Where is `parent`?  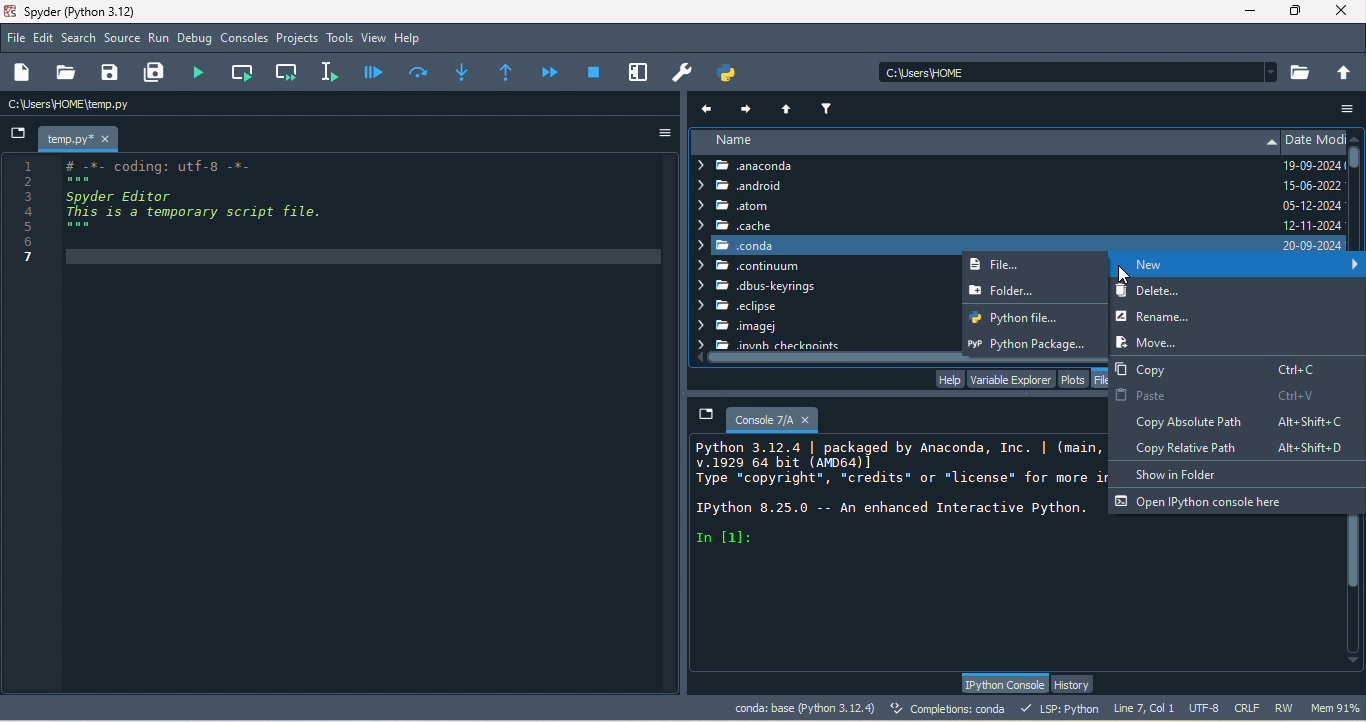 parent is located at coordinates (790, 107).